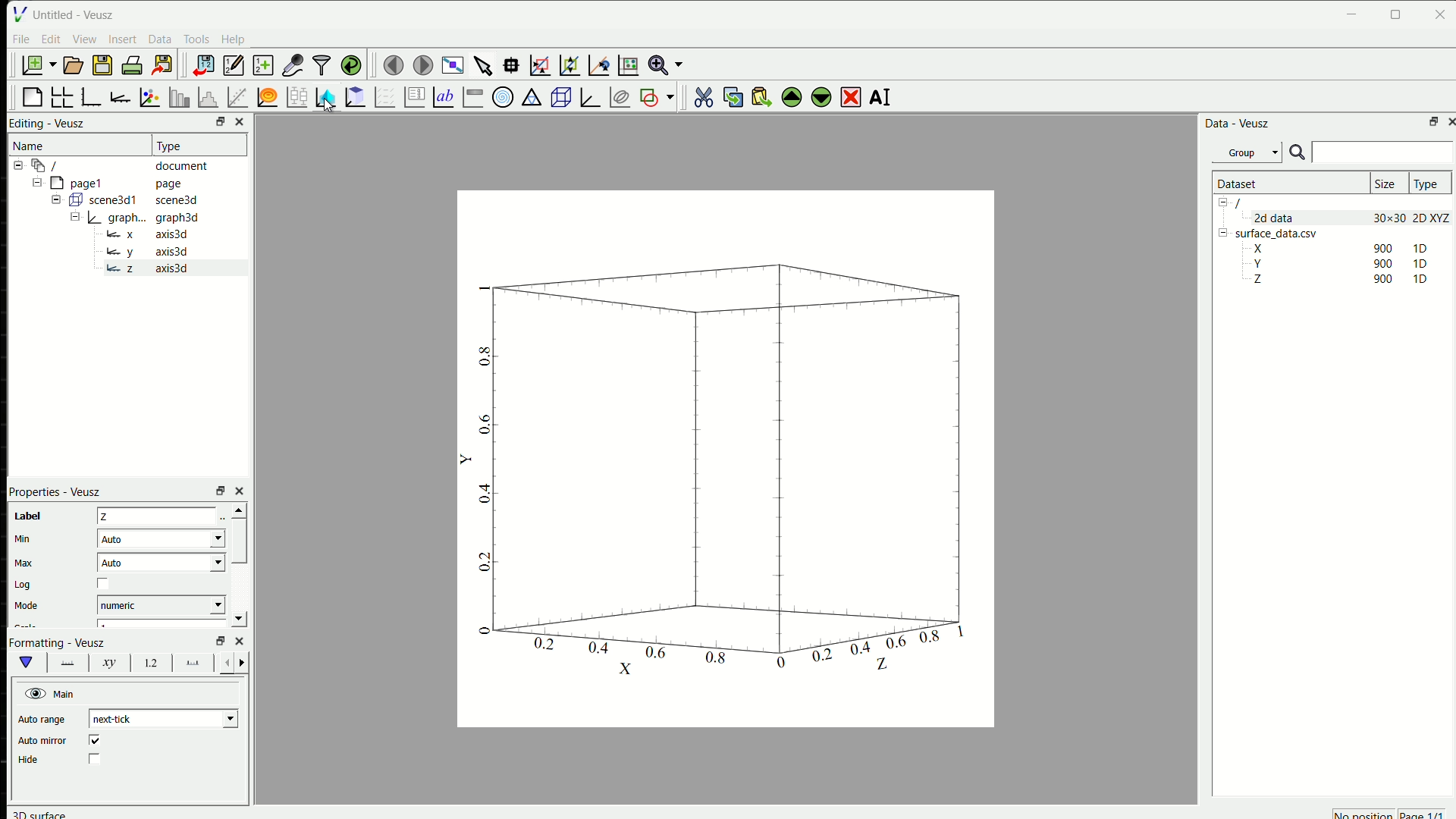 The height and width of the screenshot is (819, 1456). What do you see at coordinates (1247, 152) in the screenshot?
I see `Group` at bounding box center [1247, 152].